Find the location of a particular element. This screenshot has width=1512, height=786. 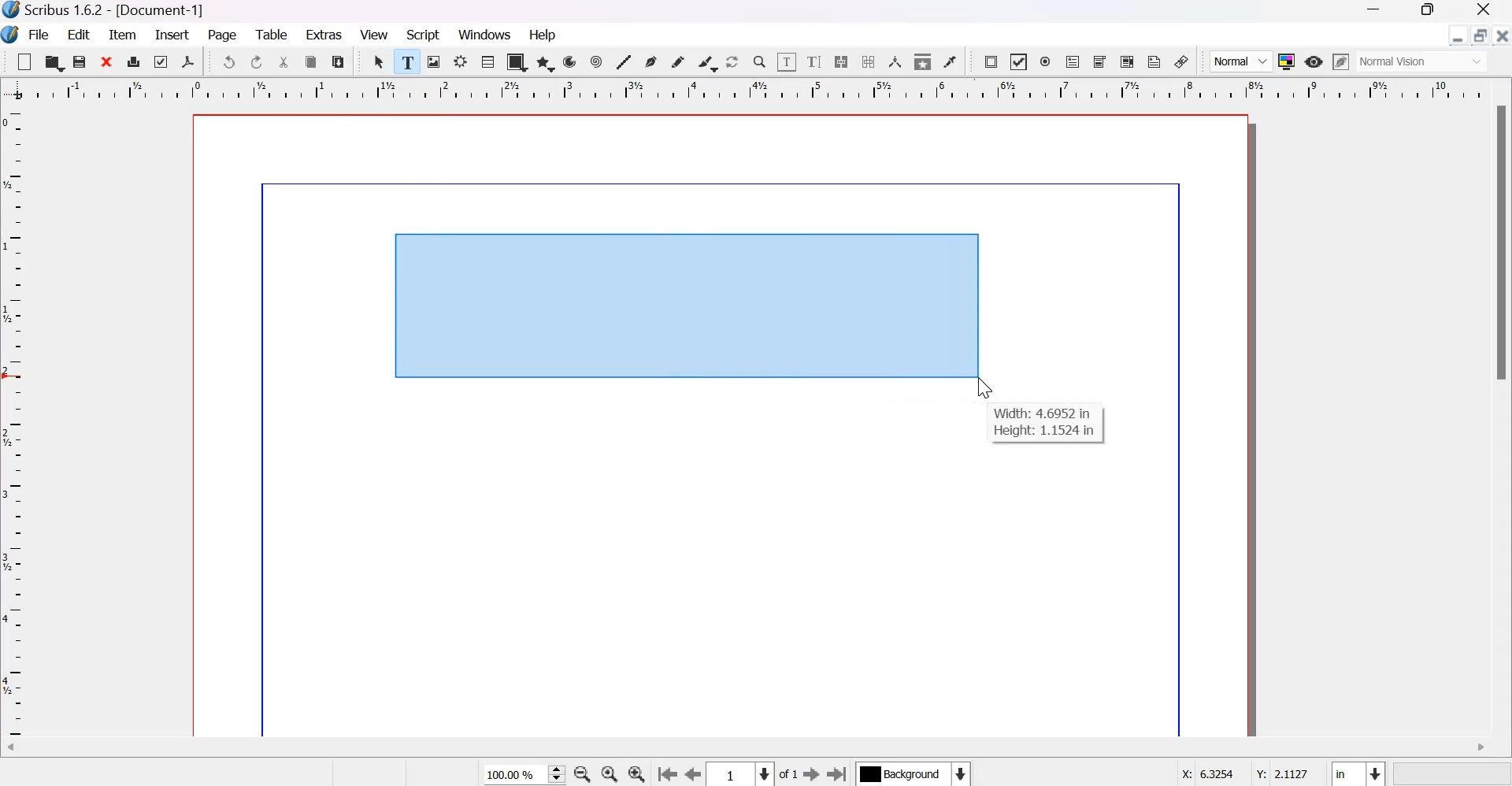

go to the previous page is located at coordinates (667, 775).